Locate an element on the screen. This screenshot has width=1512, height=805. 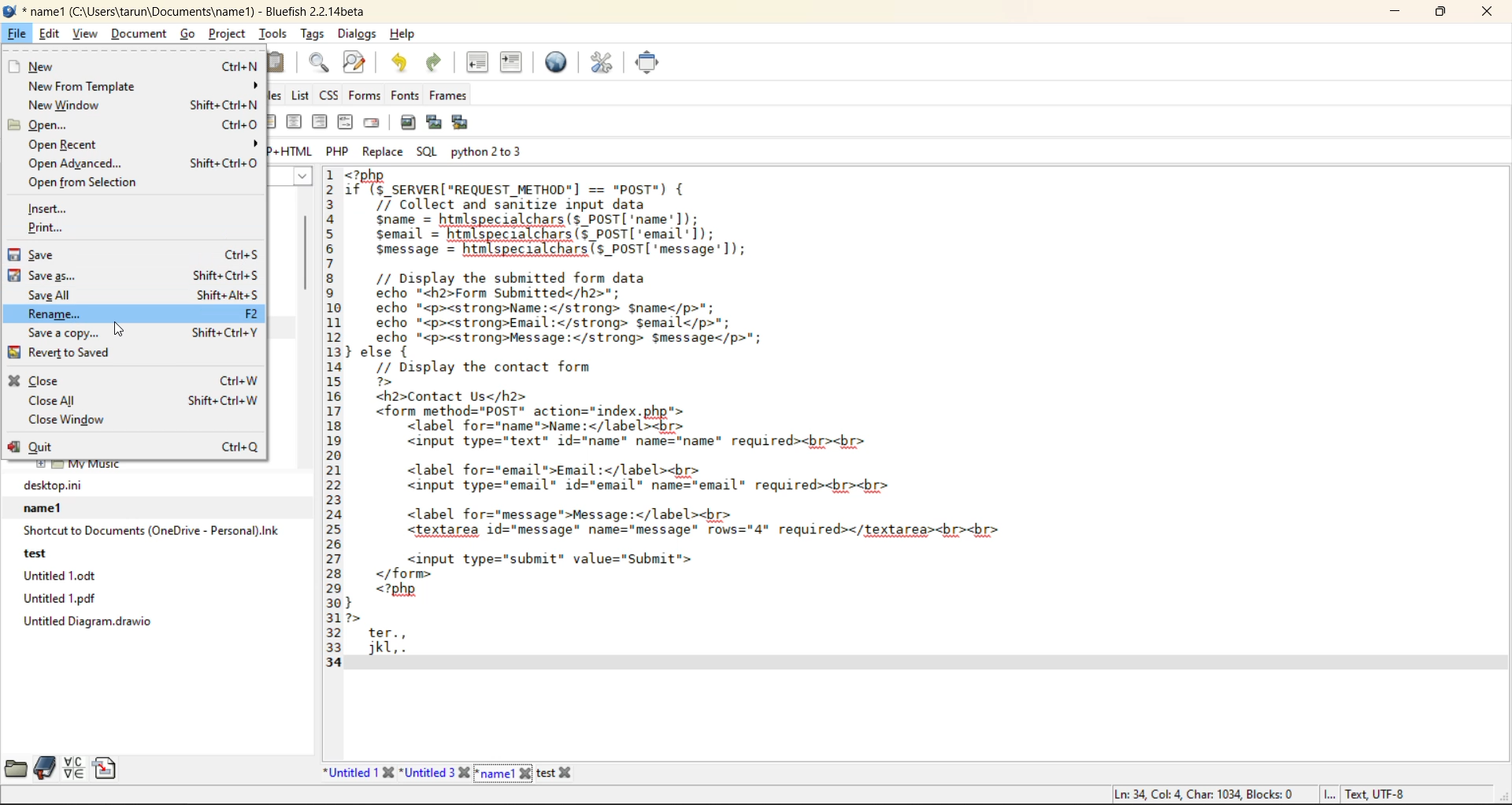
php is located at coordinates (340, 150).